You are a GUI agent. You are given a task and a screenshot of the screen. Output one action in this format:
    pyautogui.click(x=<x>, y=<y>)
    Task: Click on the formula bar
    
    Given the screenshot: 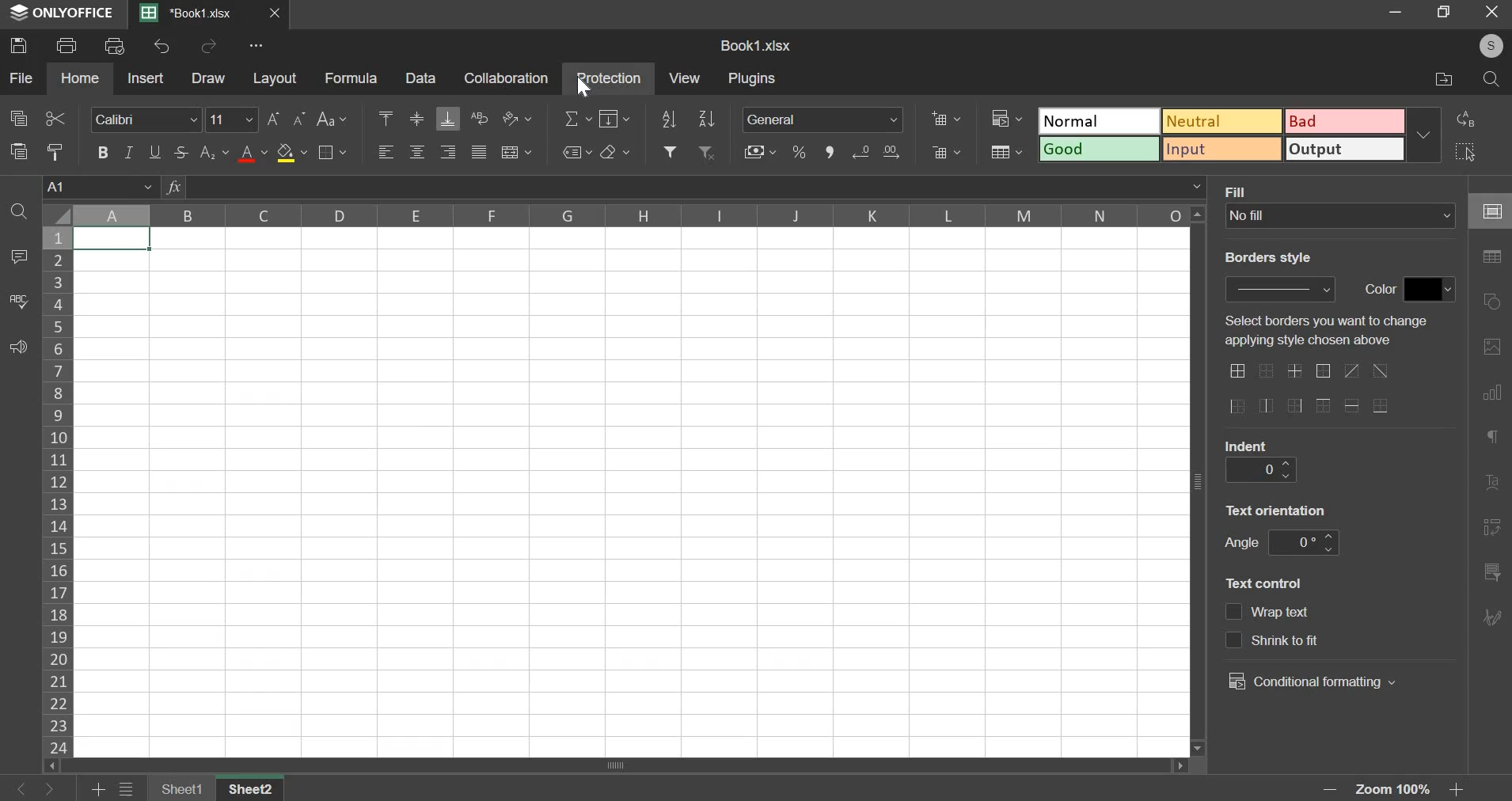 What is the action you would take?
    pyautogui.click(x=696, y=187)
    